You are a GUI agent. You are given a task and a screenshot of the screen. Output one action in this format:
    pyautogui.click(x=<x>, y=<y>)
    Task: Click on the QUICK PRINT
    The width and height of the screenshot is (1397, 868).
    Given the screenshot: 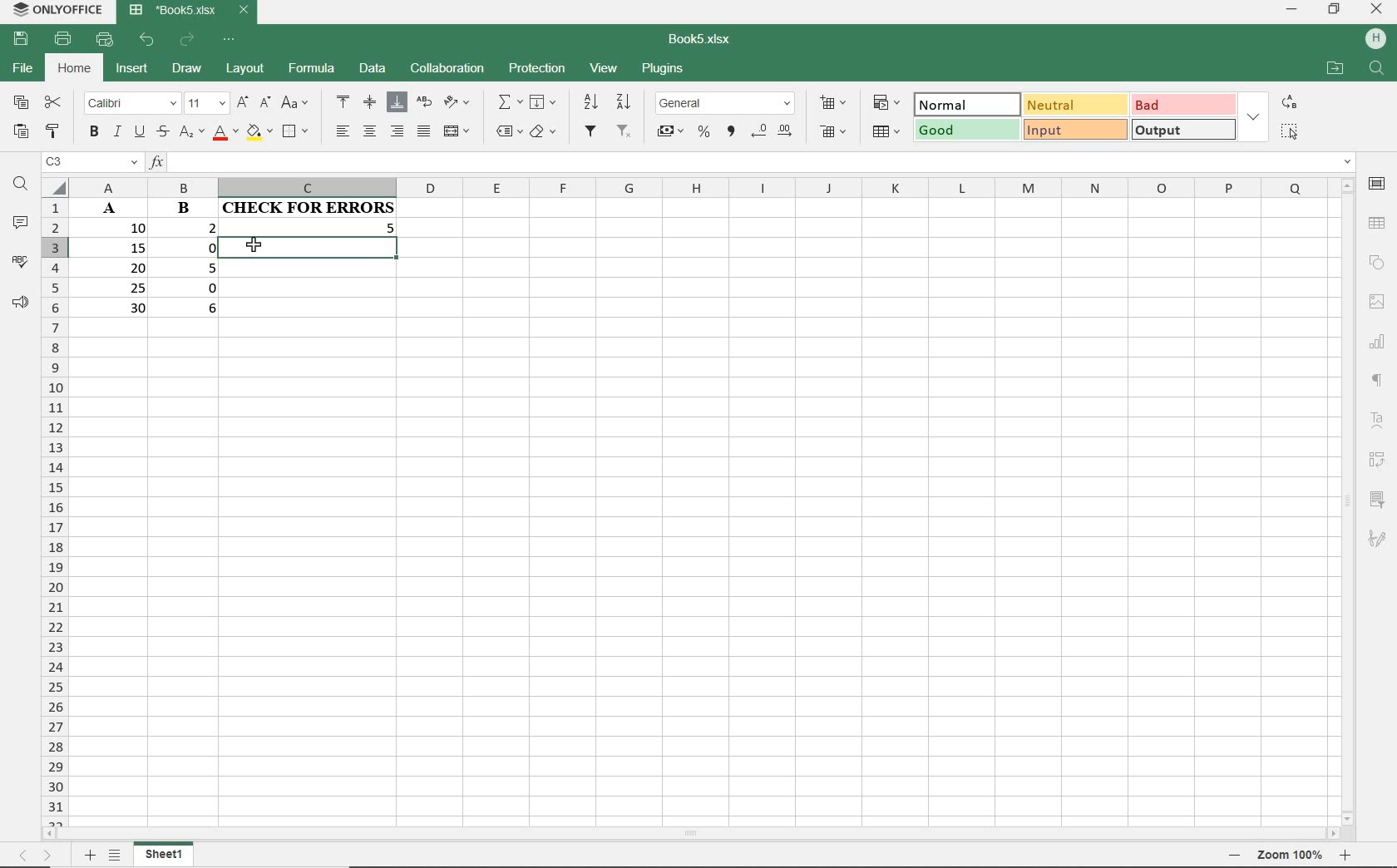 What is the action you would take?
    pyautogui.click(x=104, y=40)
    